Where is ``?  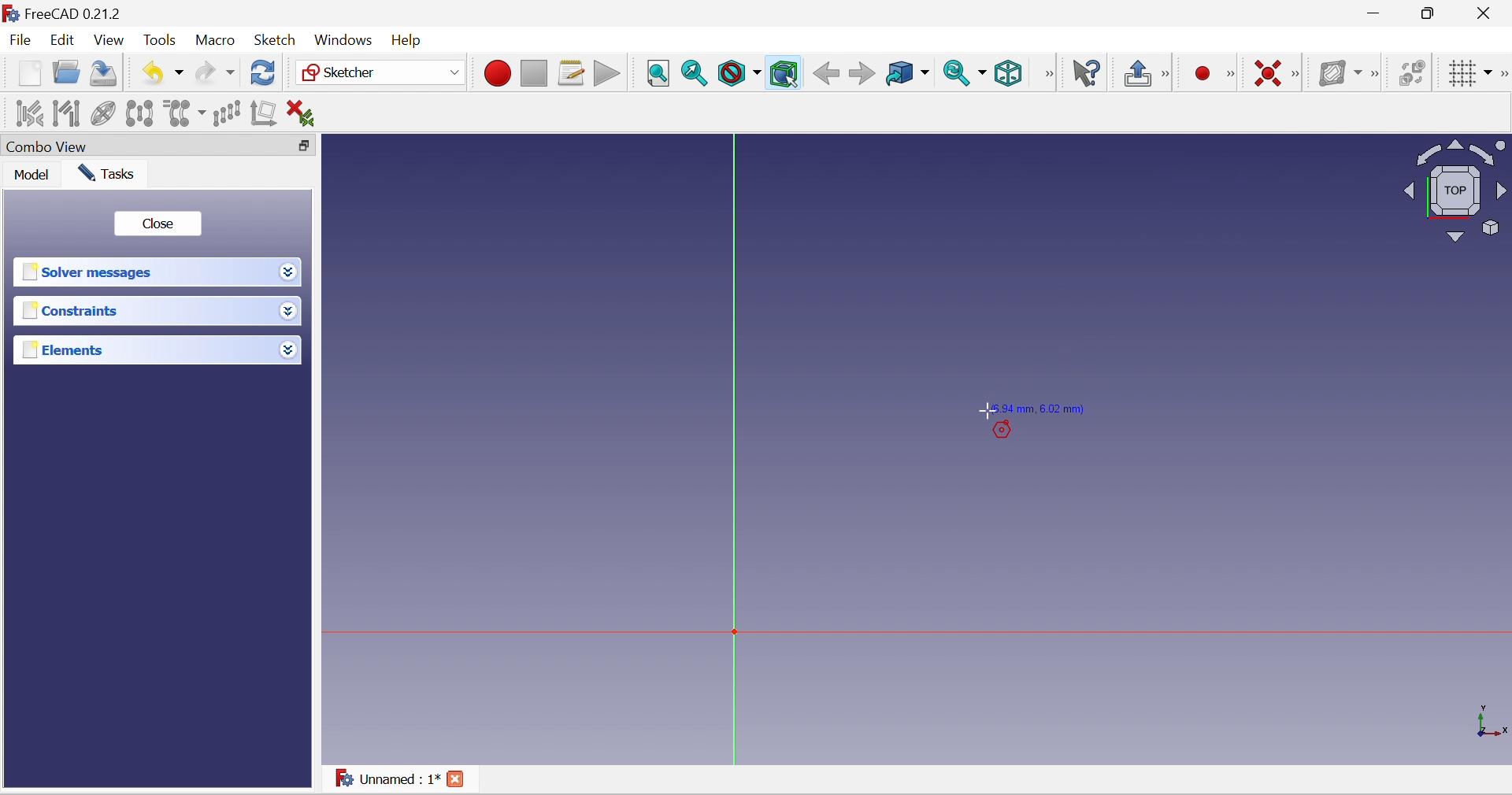  is located at coordinates (410, 41).